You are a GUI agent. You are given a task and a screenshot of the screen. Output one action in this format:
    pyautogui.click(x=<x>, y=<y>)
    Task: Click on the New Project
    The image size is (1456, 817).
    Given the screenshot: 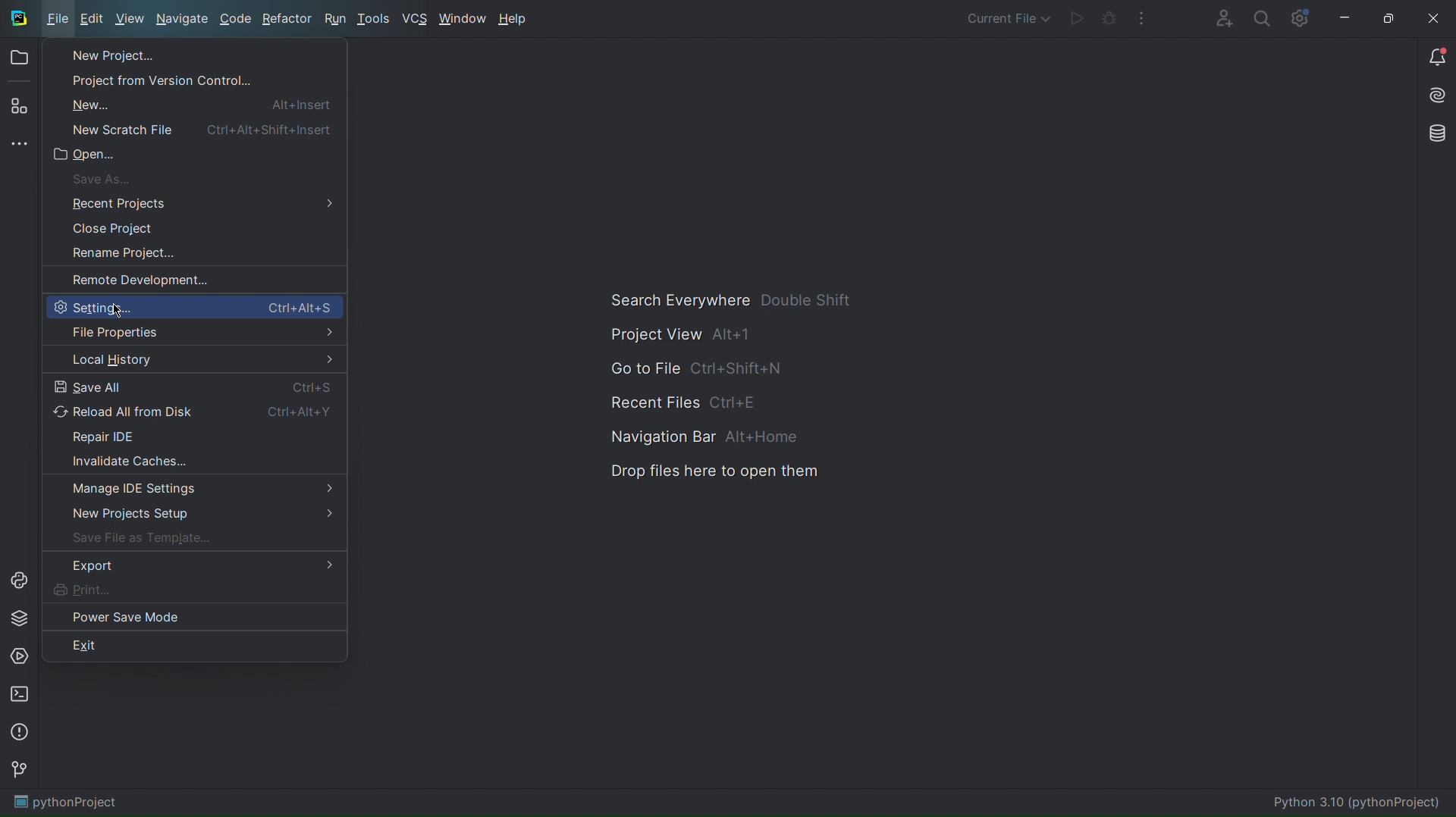 What is the action you would take?
    pyautogui.click(x=102, y=55)
    